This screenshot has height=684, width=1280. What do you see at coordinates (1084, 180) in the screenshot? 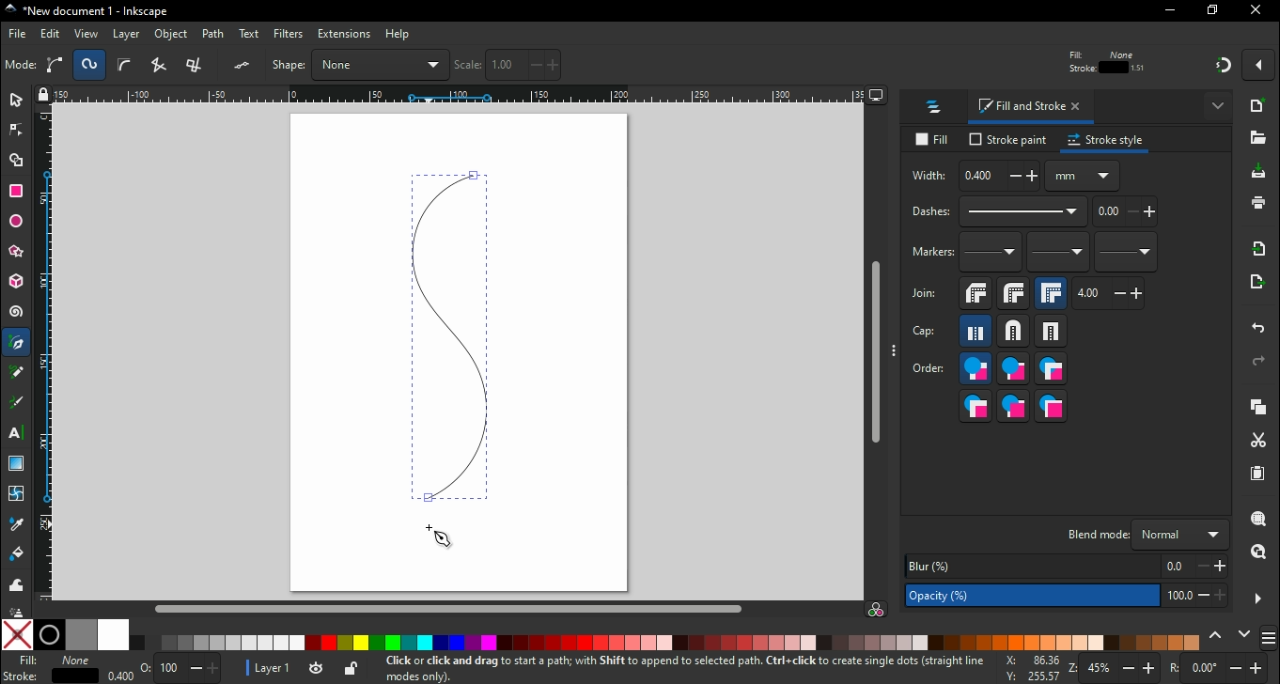
I see `units` at bounding box center [1084, 180].